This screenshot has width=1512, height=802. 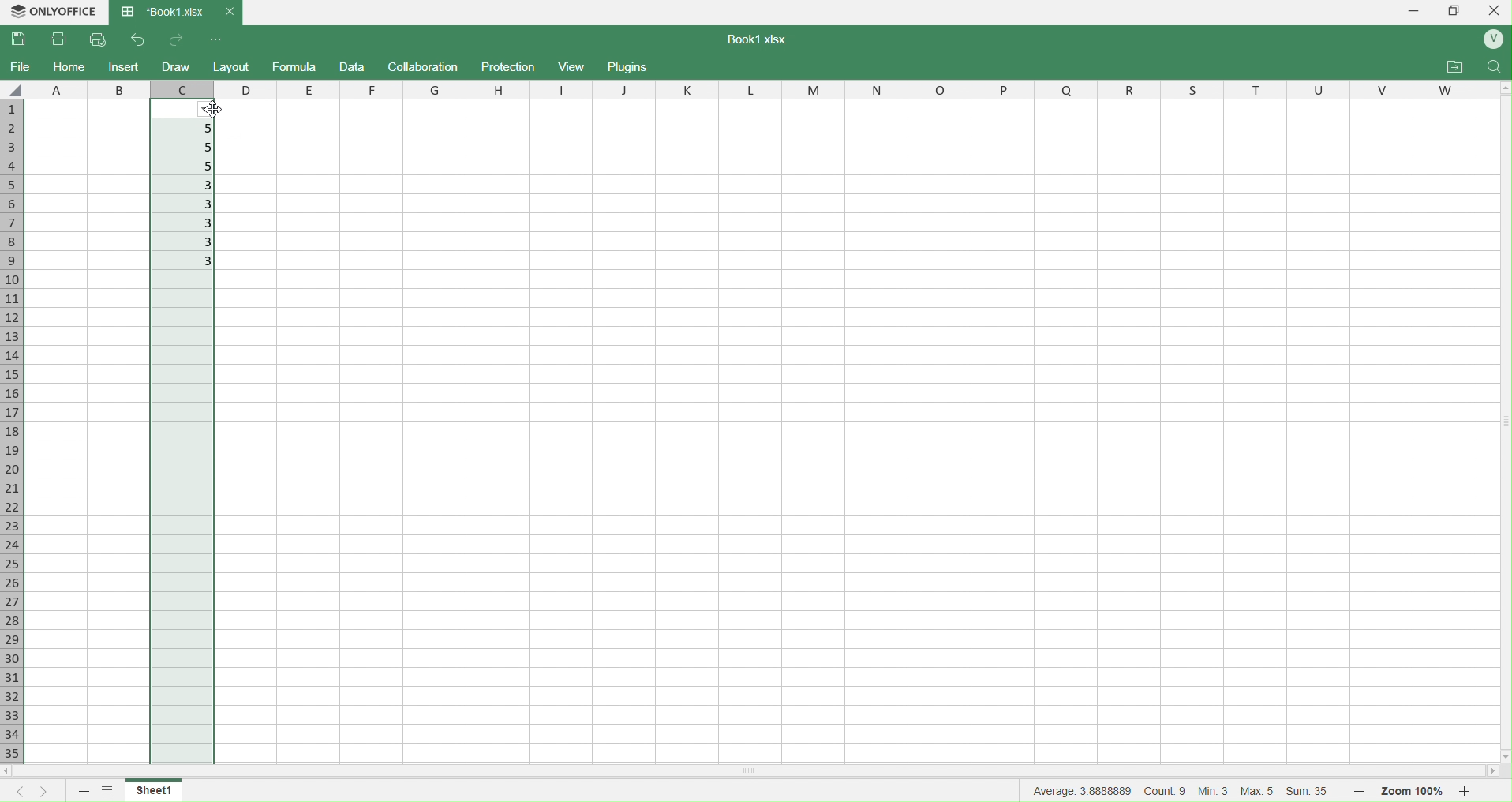 I want to click on Insert, so click(x=125, y=66).